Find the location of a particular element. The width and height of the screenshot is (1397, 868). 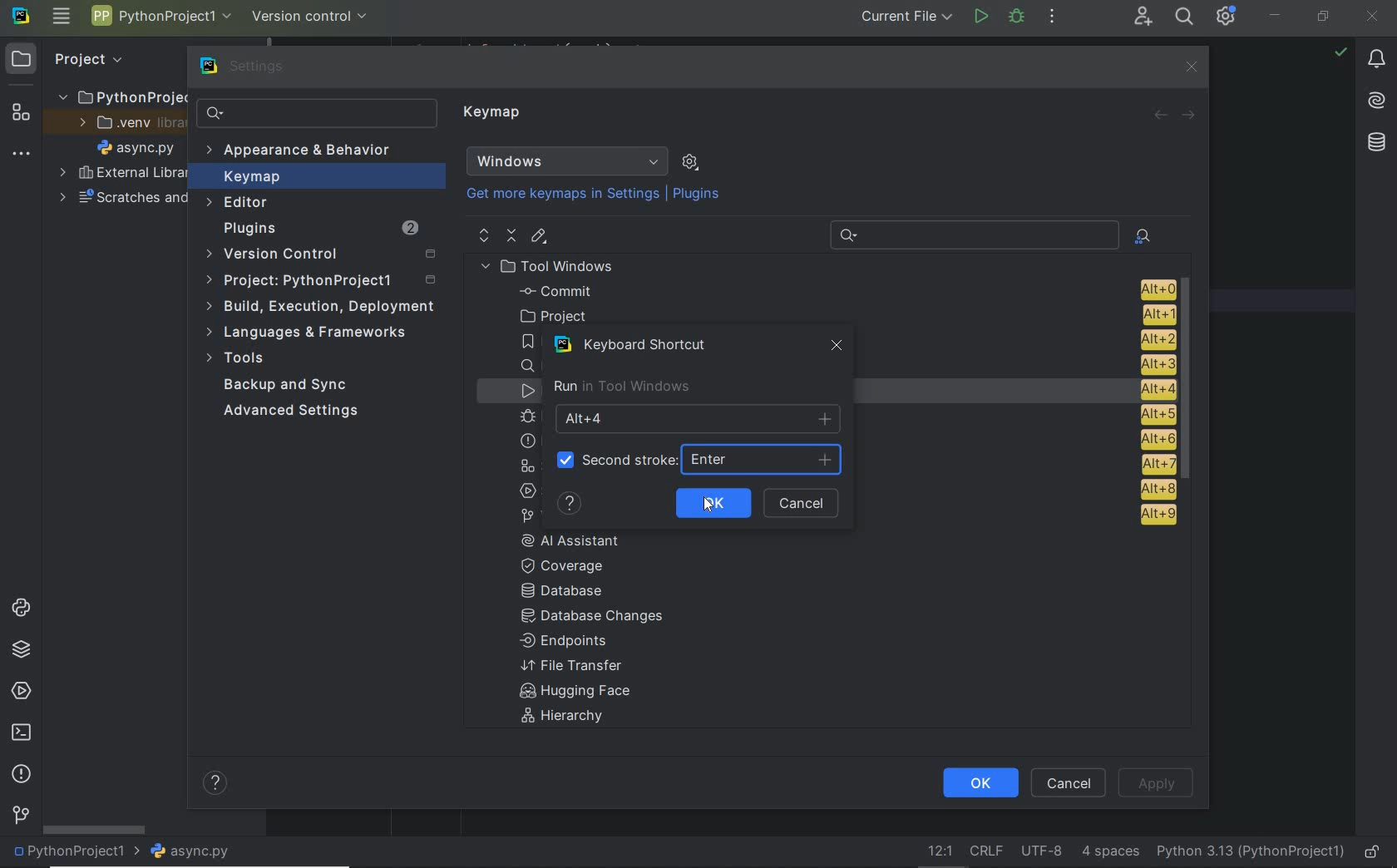

PythonProject is located at coordinates (122, 96).